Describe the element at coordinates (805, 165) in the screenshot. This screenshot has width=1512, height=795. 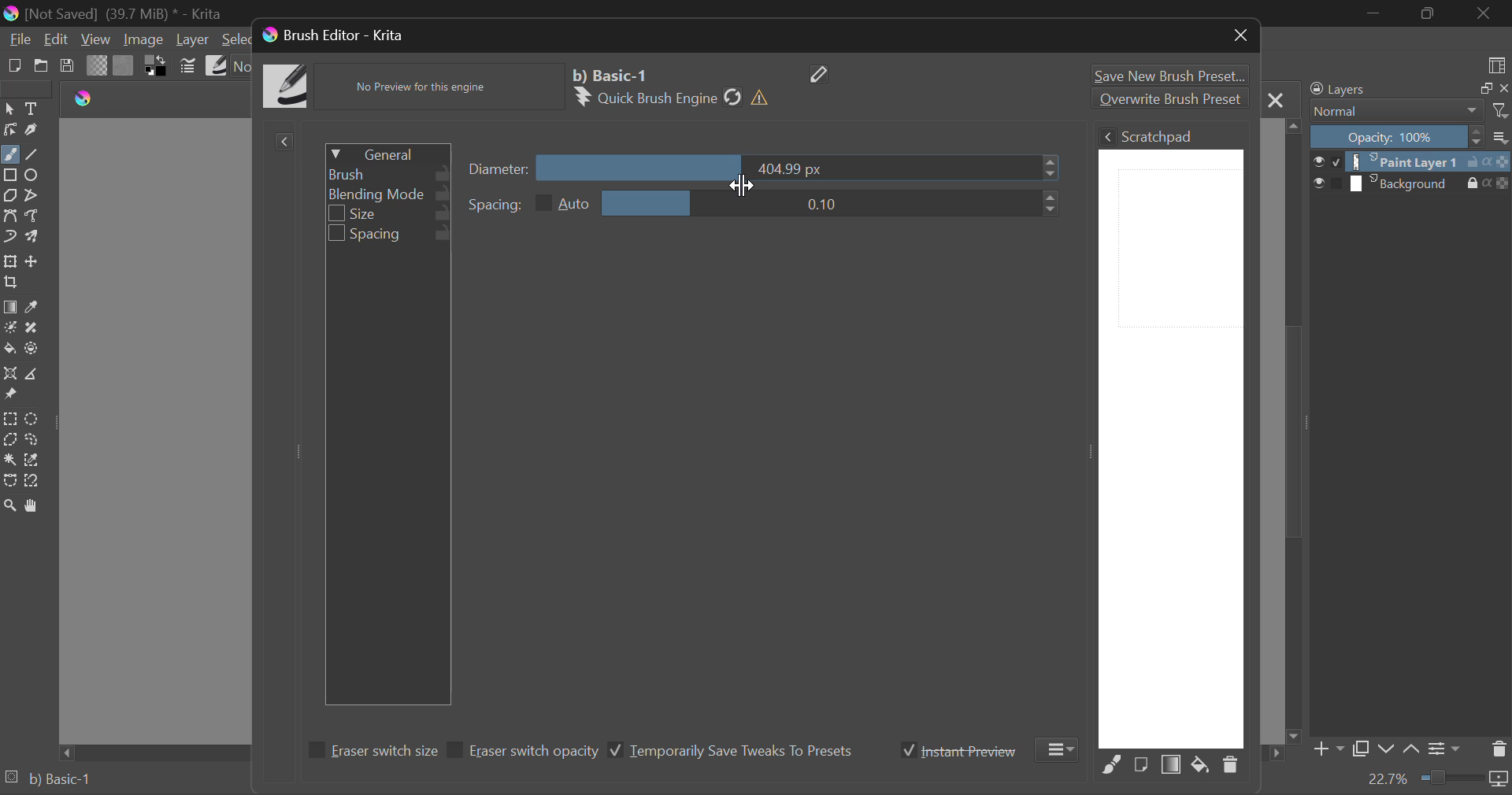
I see `diameter slider` at that location.